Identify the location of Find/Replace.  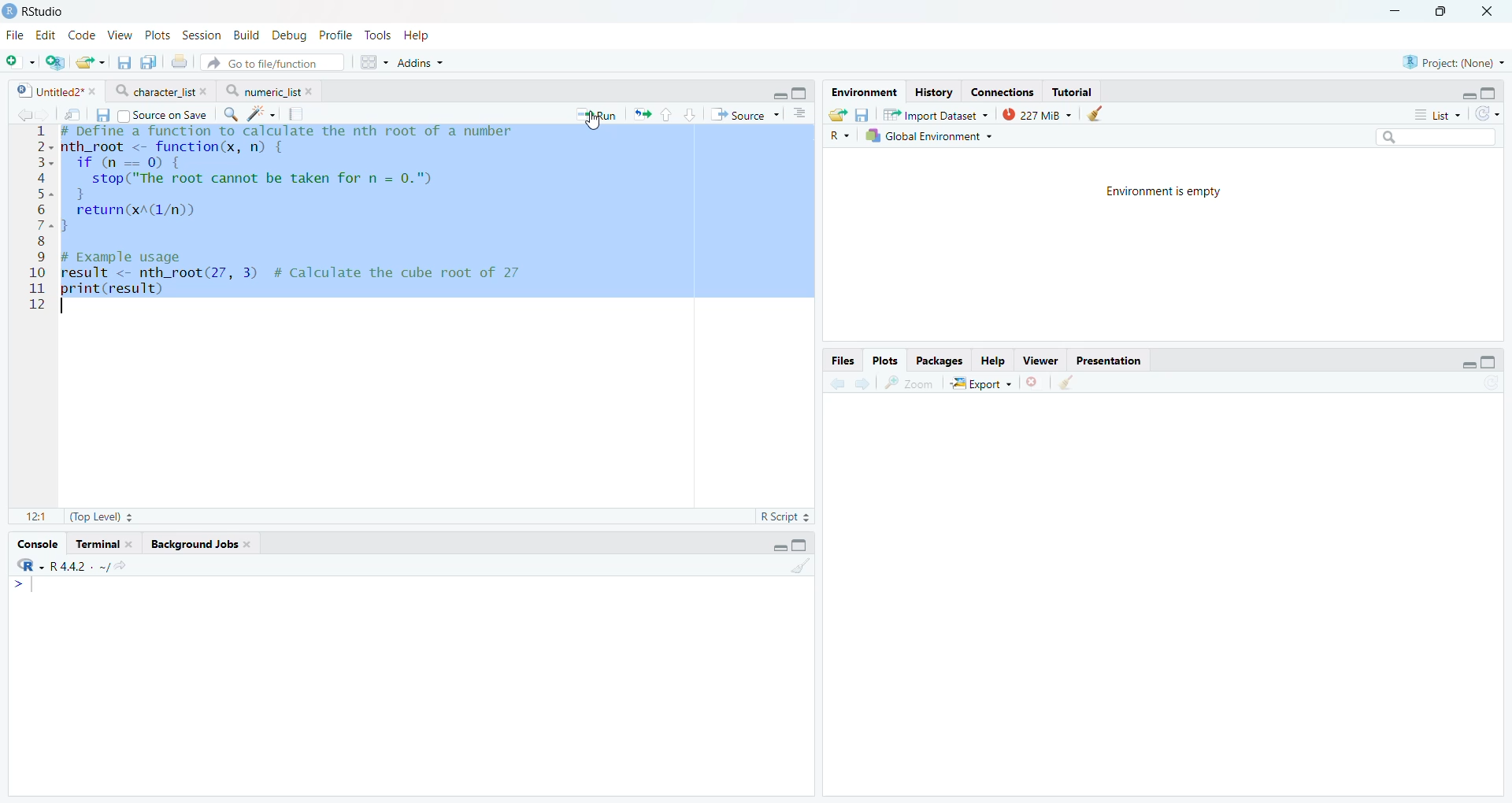
(231, 114).